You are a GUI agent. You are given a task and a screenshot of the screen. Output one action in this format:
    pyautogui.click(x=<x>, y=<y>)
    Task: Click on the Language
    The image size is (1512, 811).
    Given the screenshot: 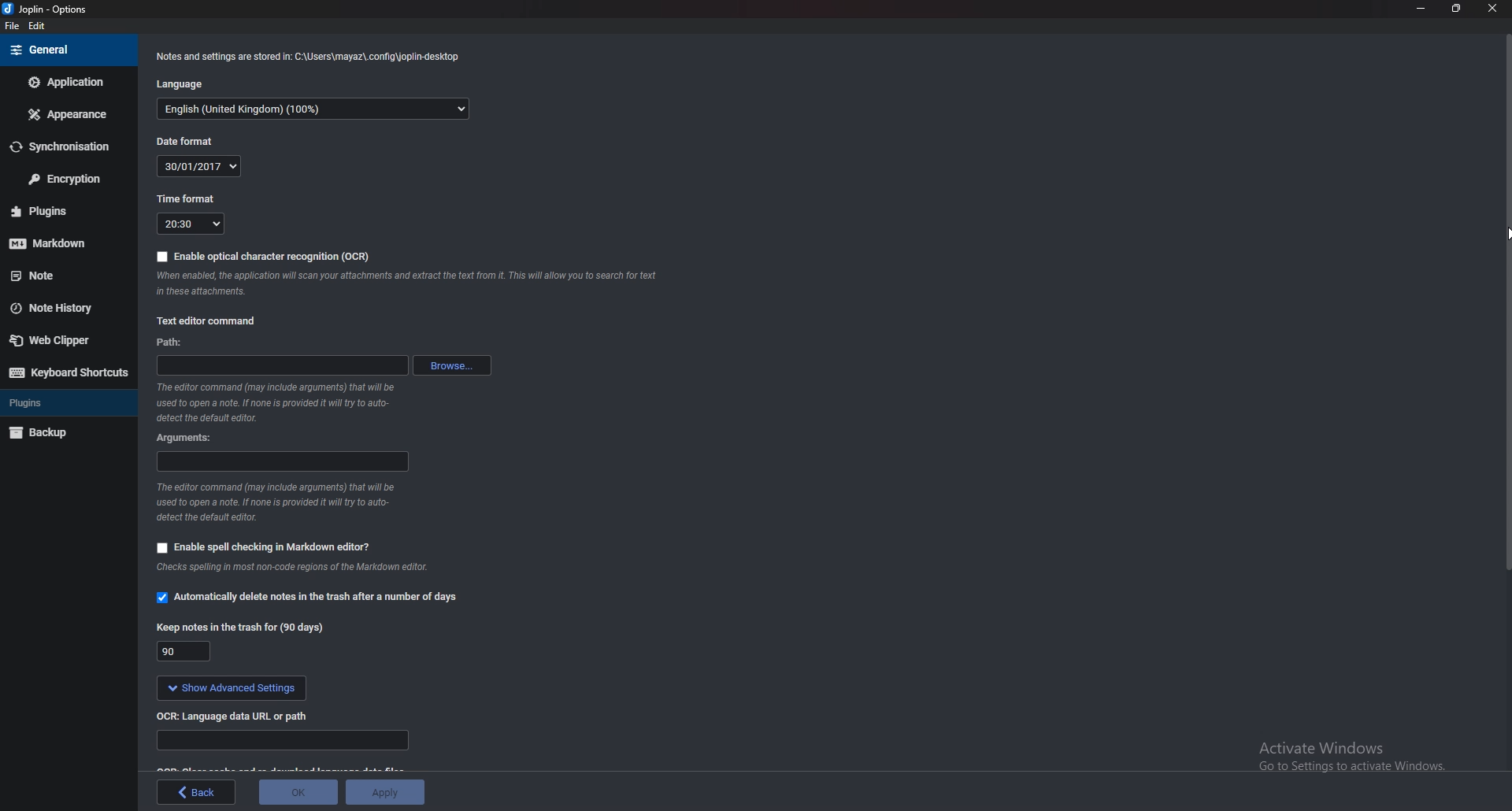 What is the action you would take?
    pyautogui.click(x=313, y=109)
    